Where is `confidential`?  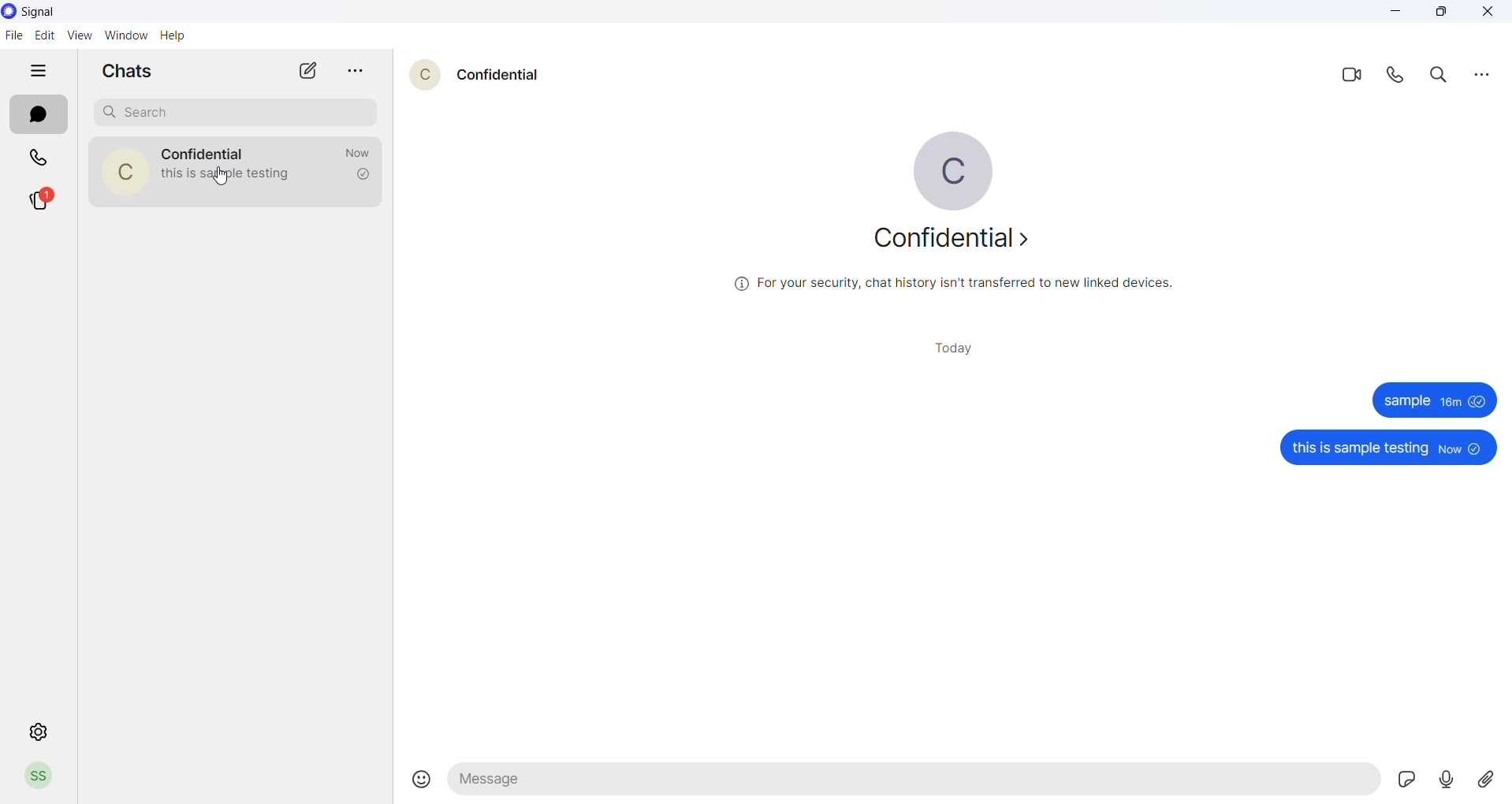
confidential is located at coordinates (203, 154).